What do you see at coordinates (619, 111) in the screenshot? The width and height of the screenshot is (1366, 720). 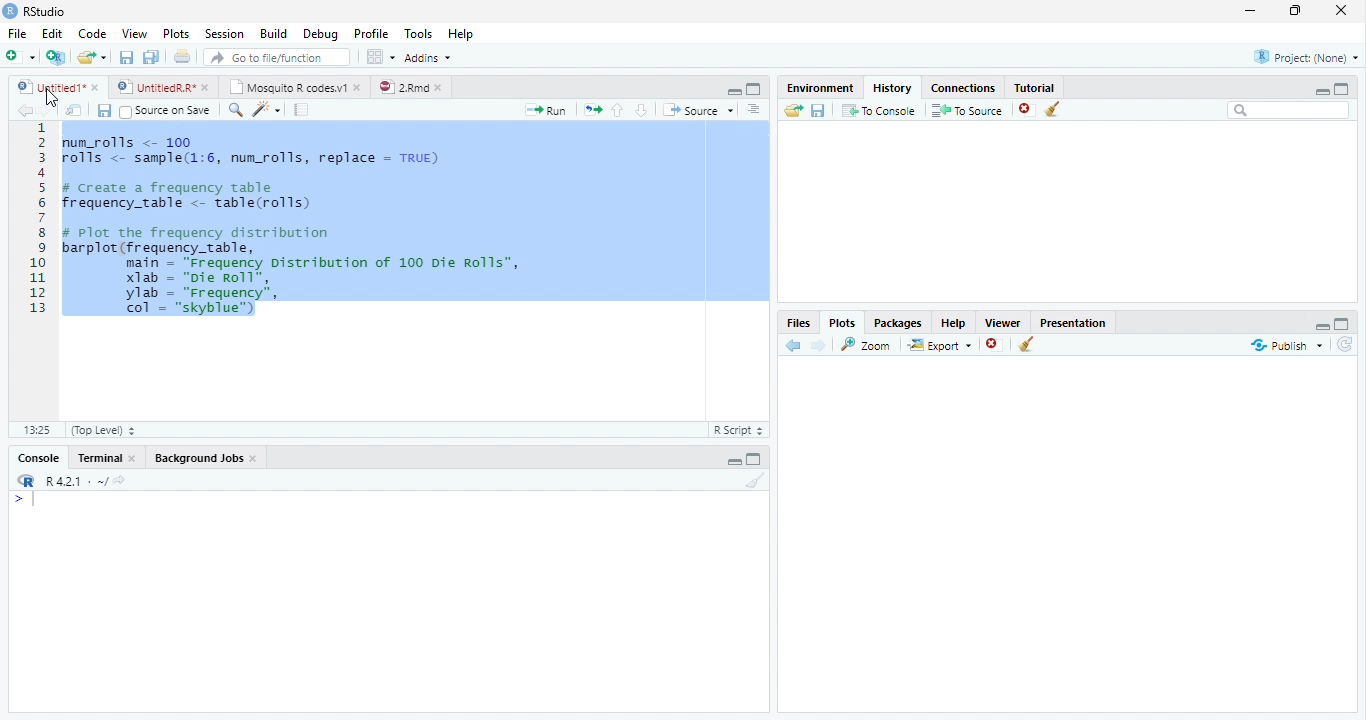 I see `Go to previous section of code` at bounding box center [619, 111].